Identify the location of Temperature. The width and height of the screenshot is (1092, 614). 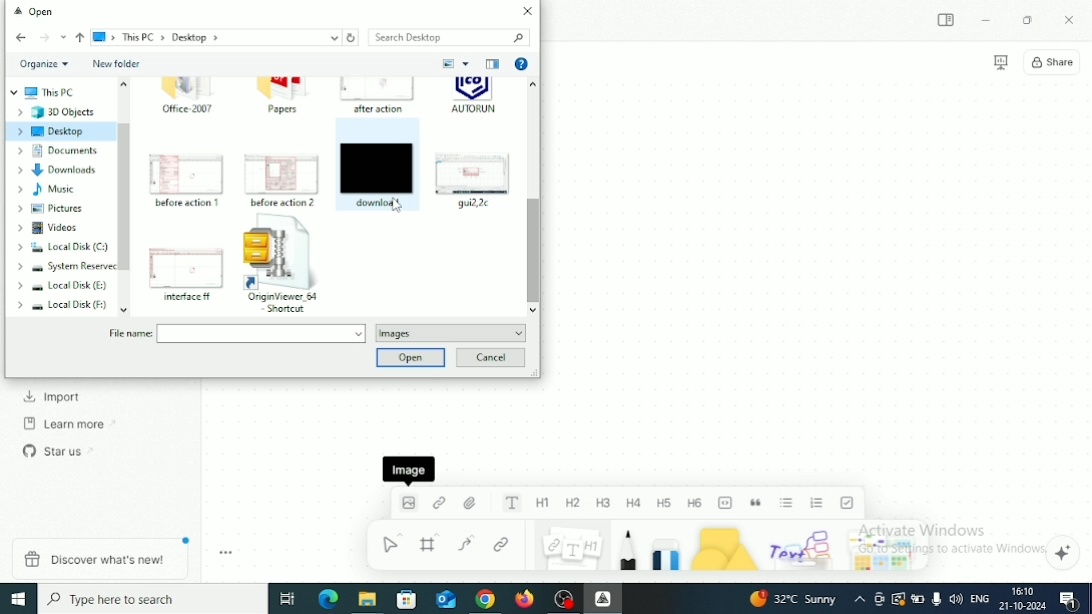
(793, 598).